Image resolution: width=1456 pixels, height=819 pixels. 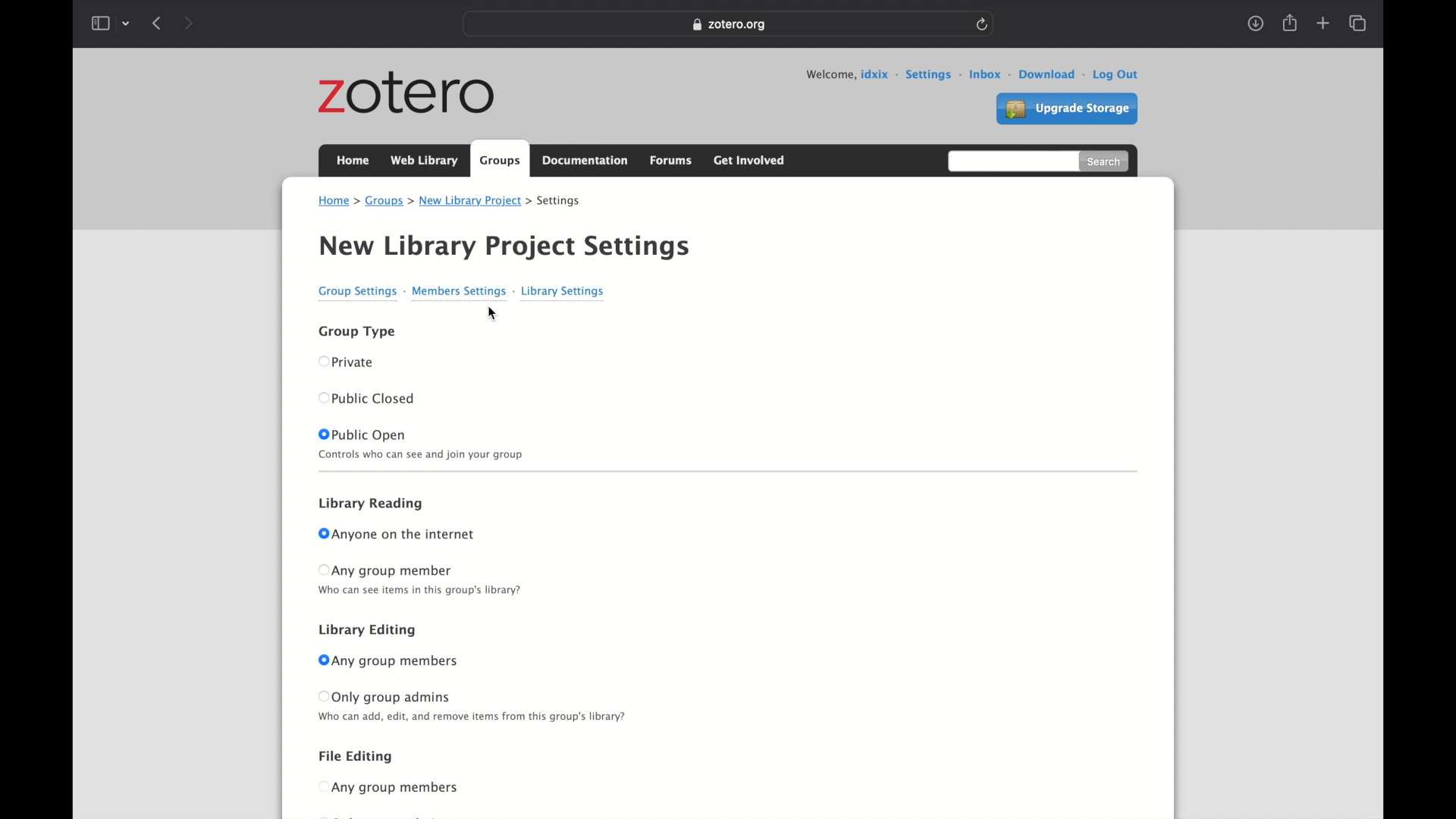 I want to click on web library, so click(x=423, y=161).